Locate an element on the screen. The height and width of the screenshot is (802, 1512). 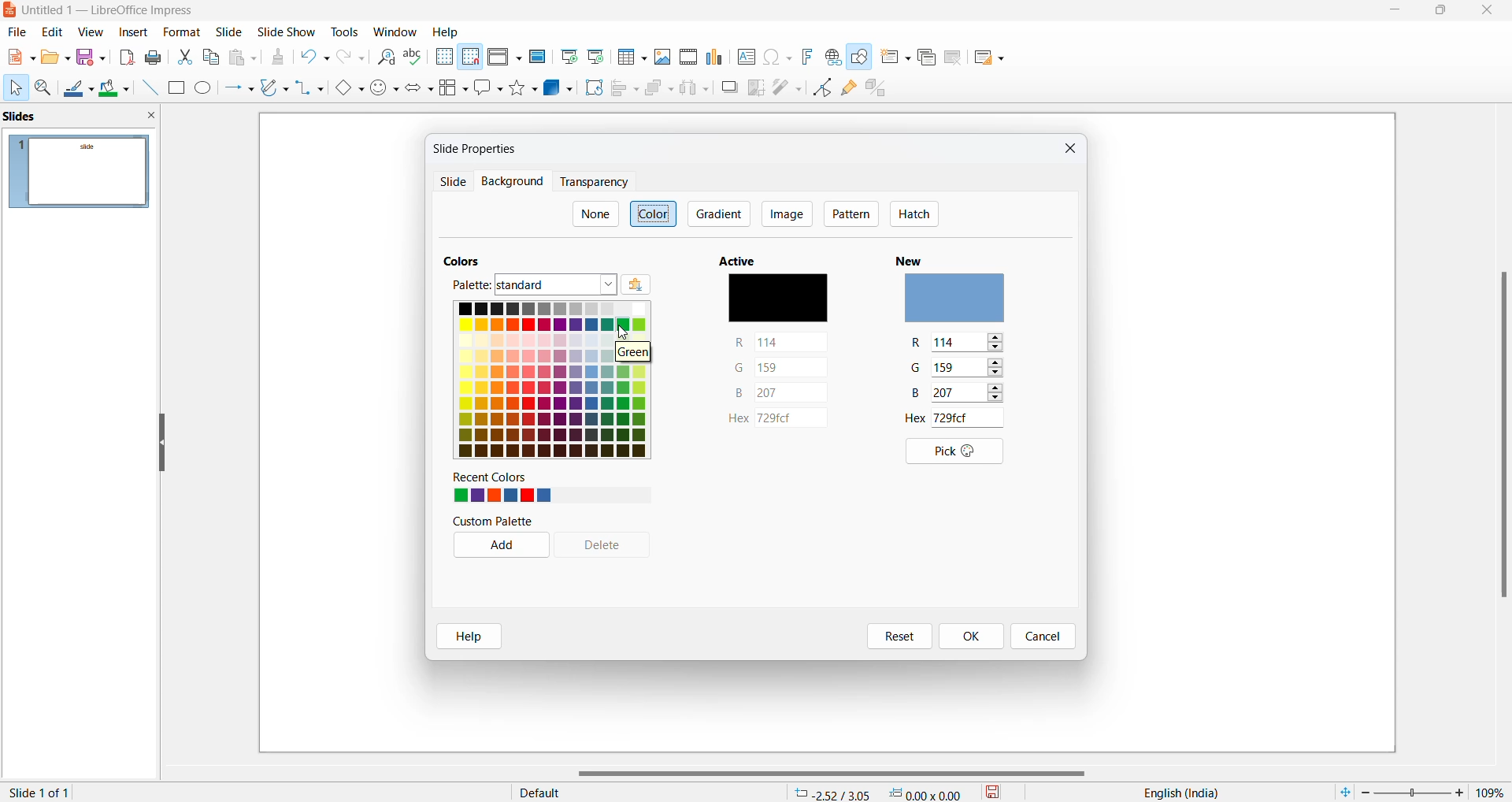
pattern is located at coordinates (851, 215).